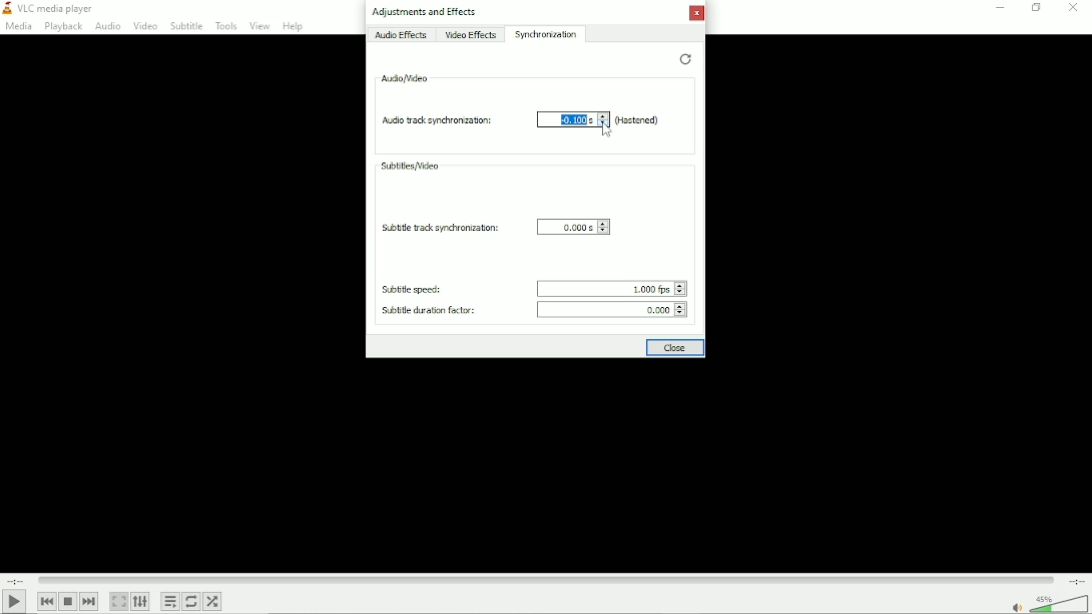 This screenshot has height=614, width=1092. Describe the element at coordinates (679, 309) in the screenshot. I see `adjust Subtitle duration factor` at that location.